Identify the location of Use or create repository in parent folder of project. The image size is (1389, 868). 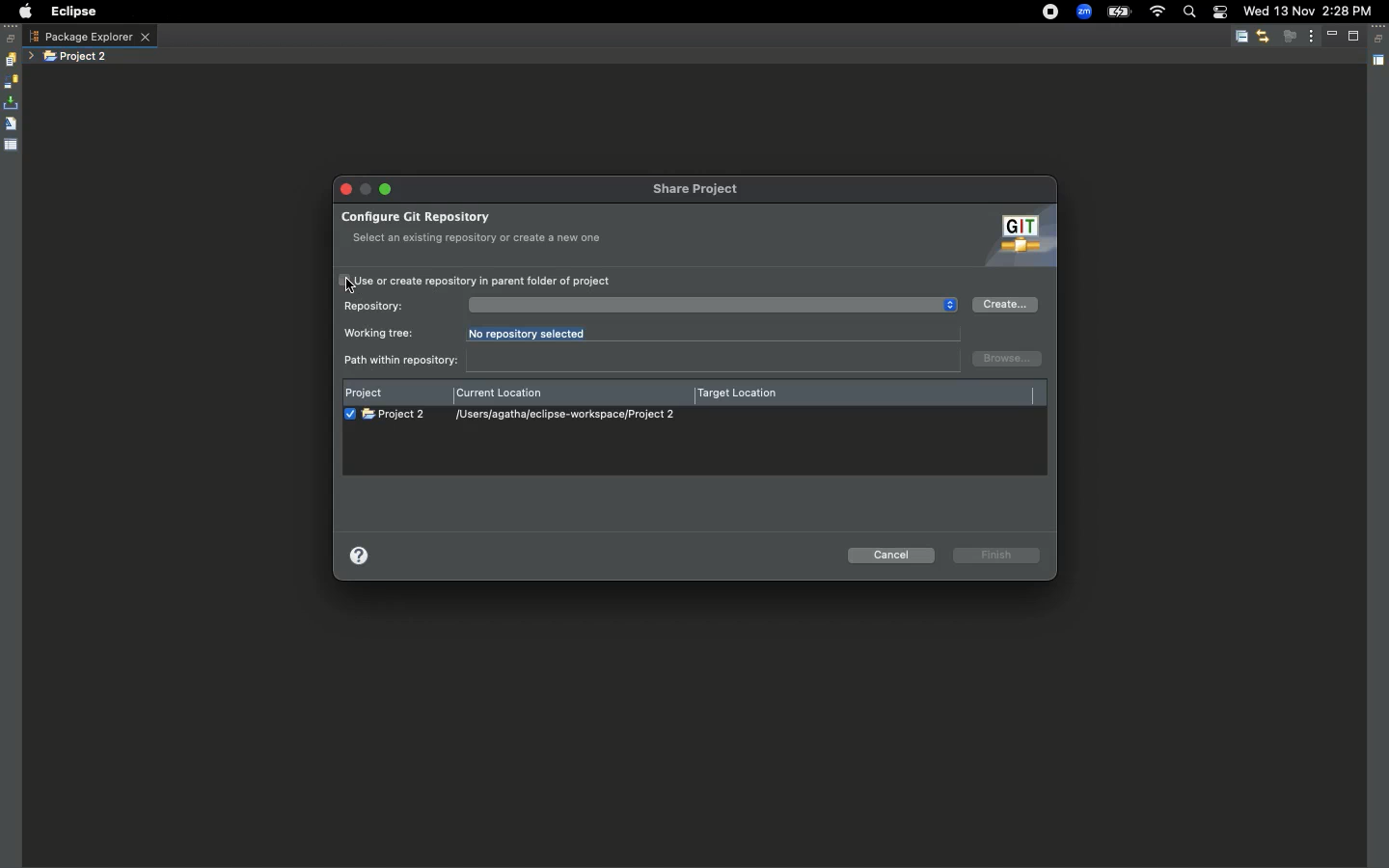
(476, 282).